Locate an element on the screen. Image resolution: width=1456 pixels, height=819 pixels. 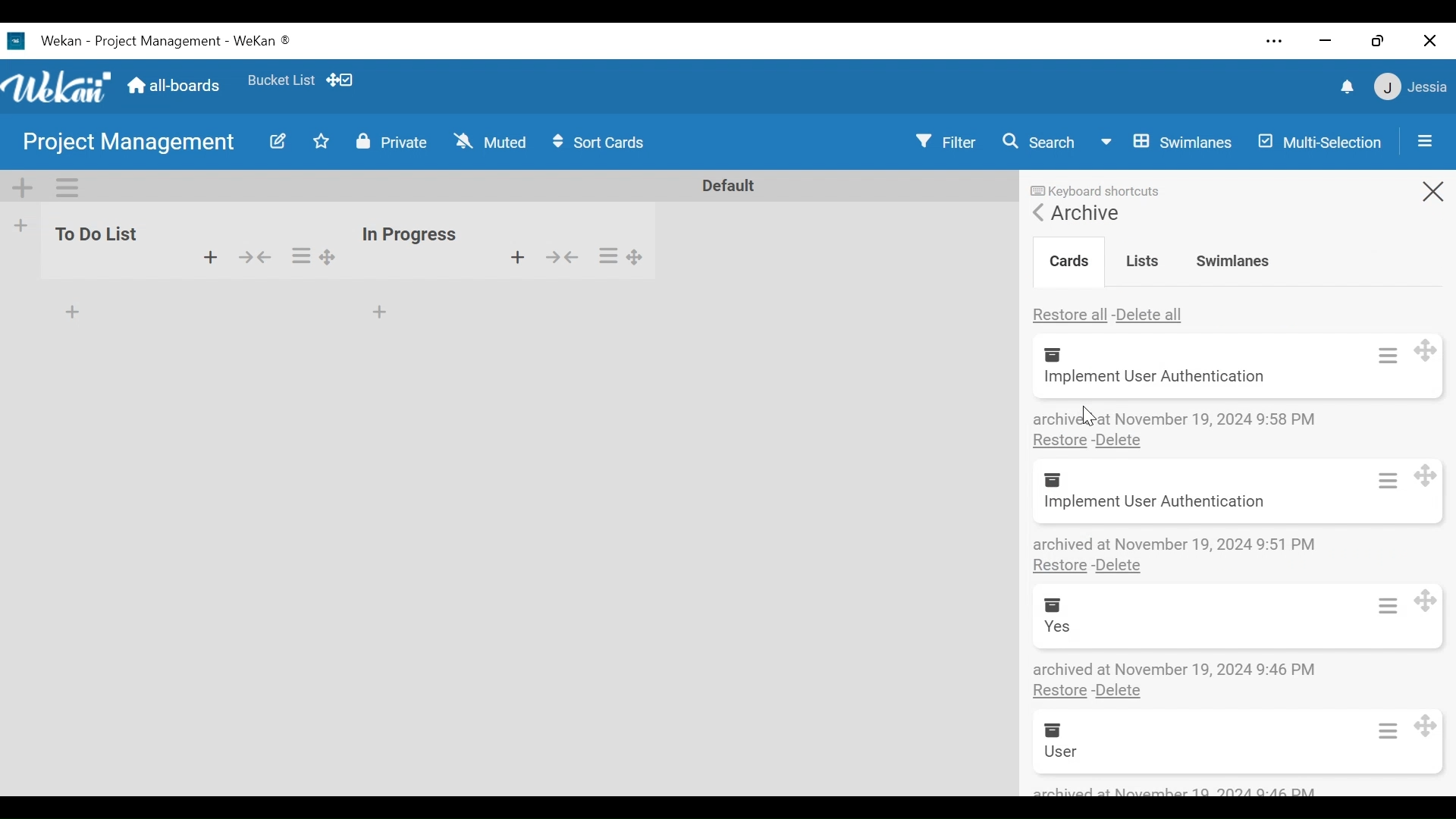
Delete is located at coordinates (1121, 441).